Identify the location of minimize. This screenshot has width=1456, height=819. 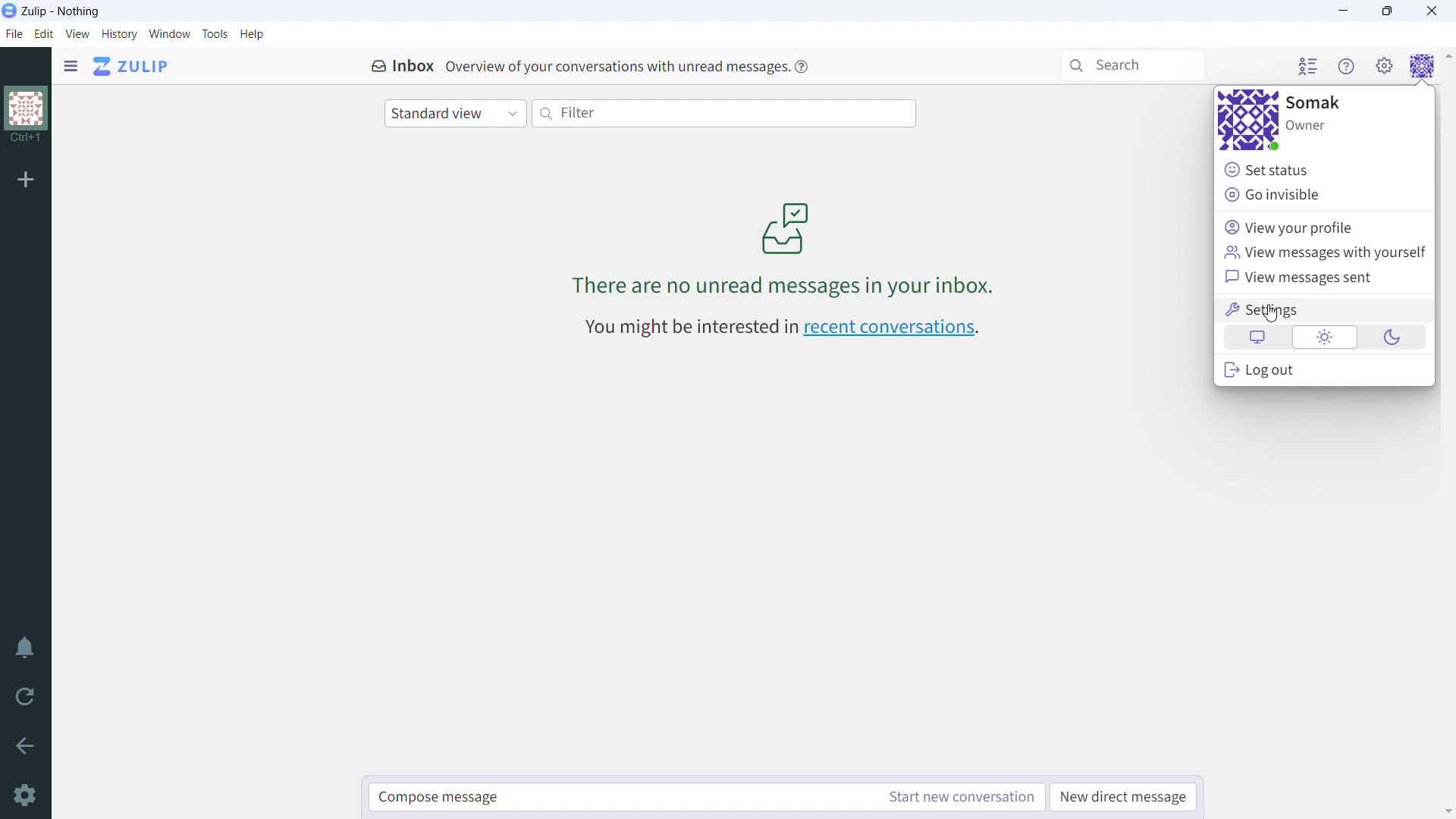
(1345, 11).